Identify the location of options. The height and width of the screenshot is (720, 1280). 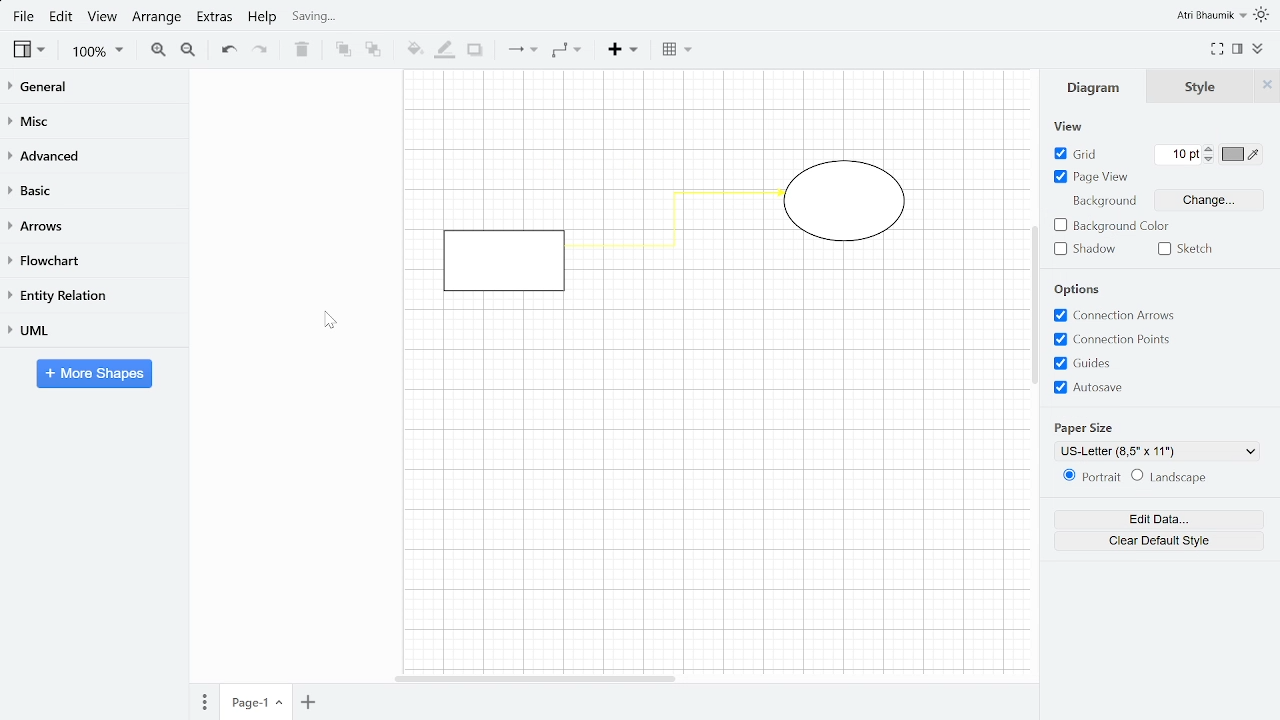
(1078, 290).